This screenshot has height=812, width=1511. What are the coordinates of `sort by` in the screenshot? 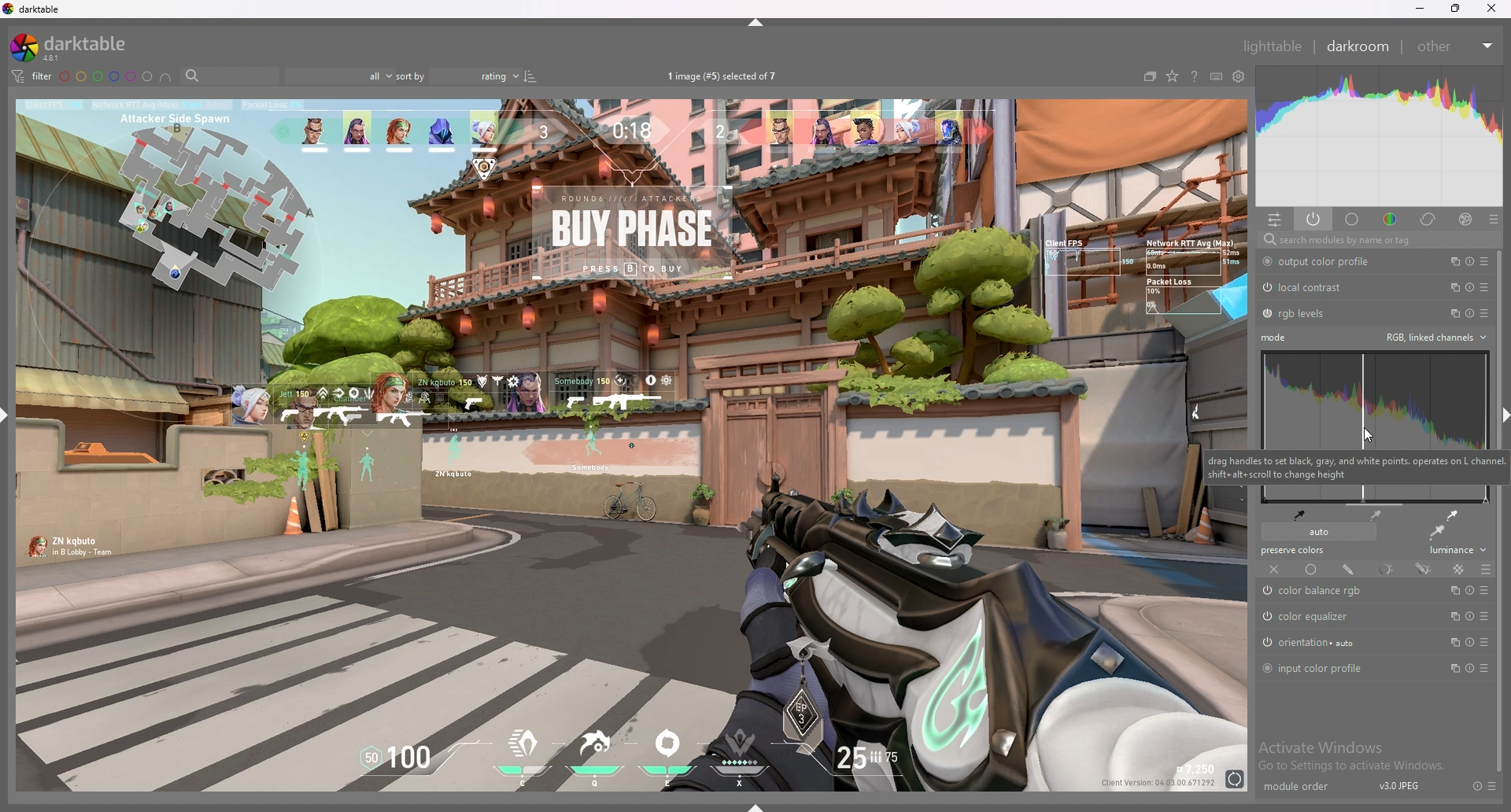 It's located at (457, 76).